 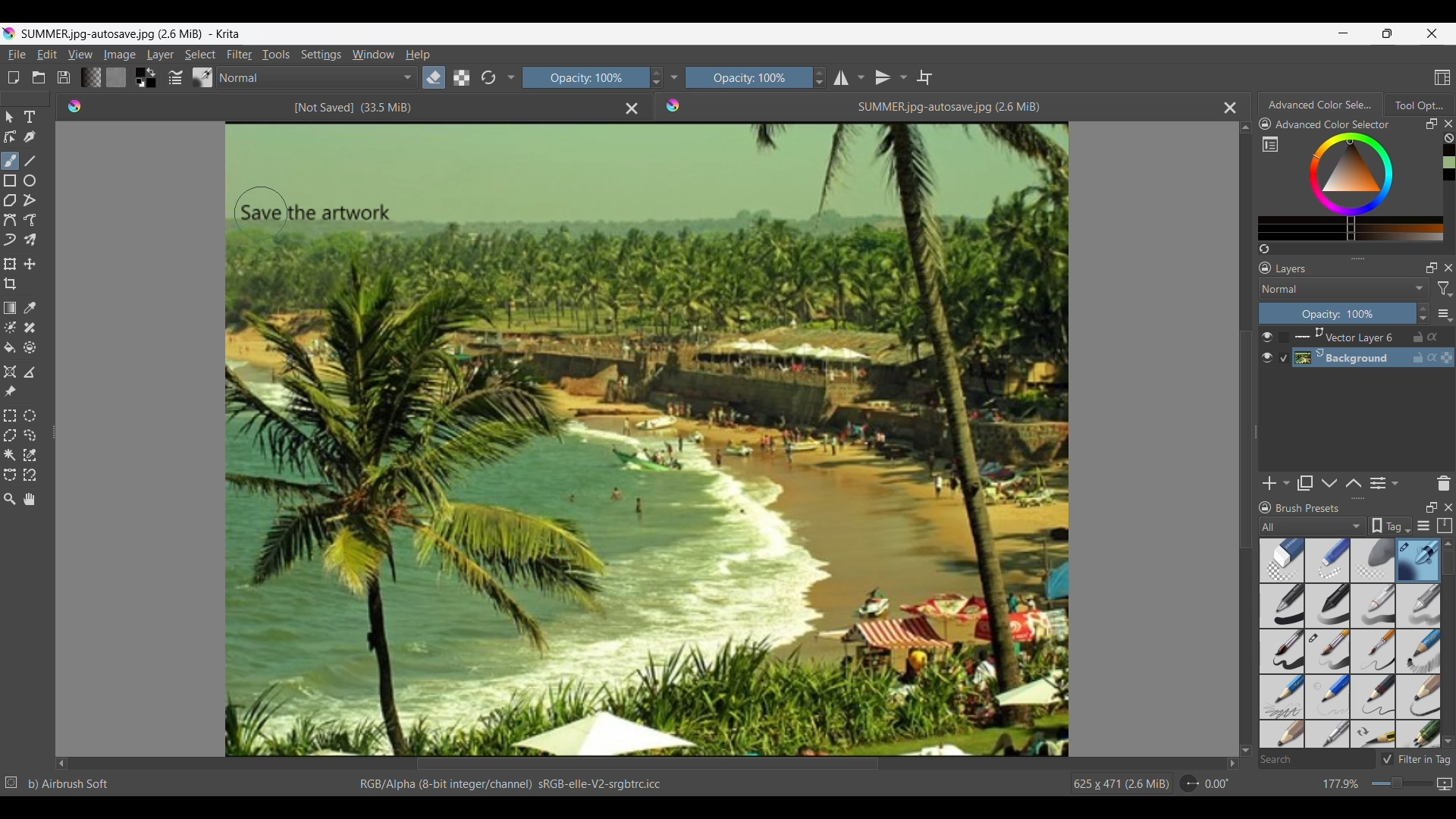 I want to click on Tag, so click(x=1390, y=526).